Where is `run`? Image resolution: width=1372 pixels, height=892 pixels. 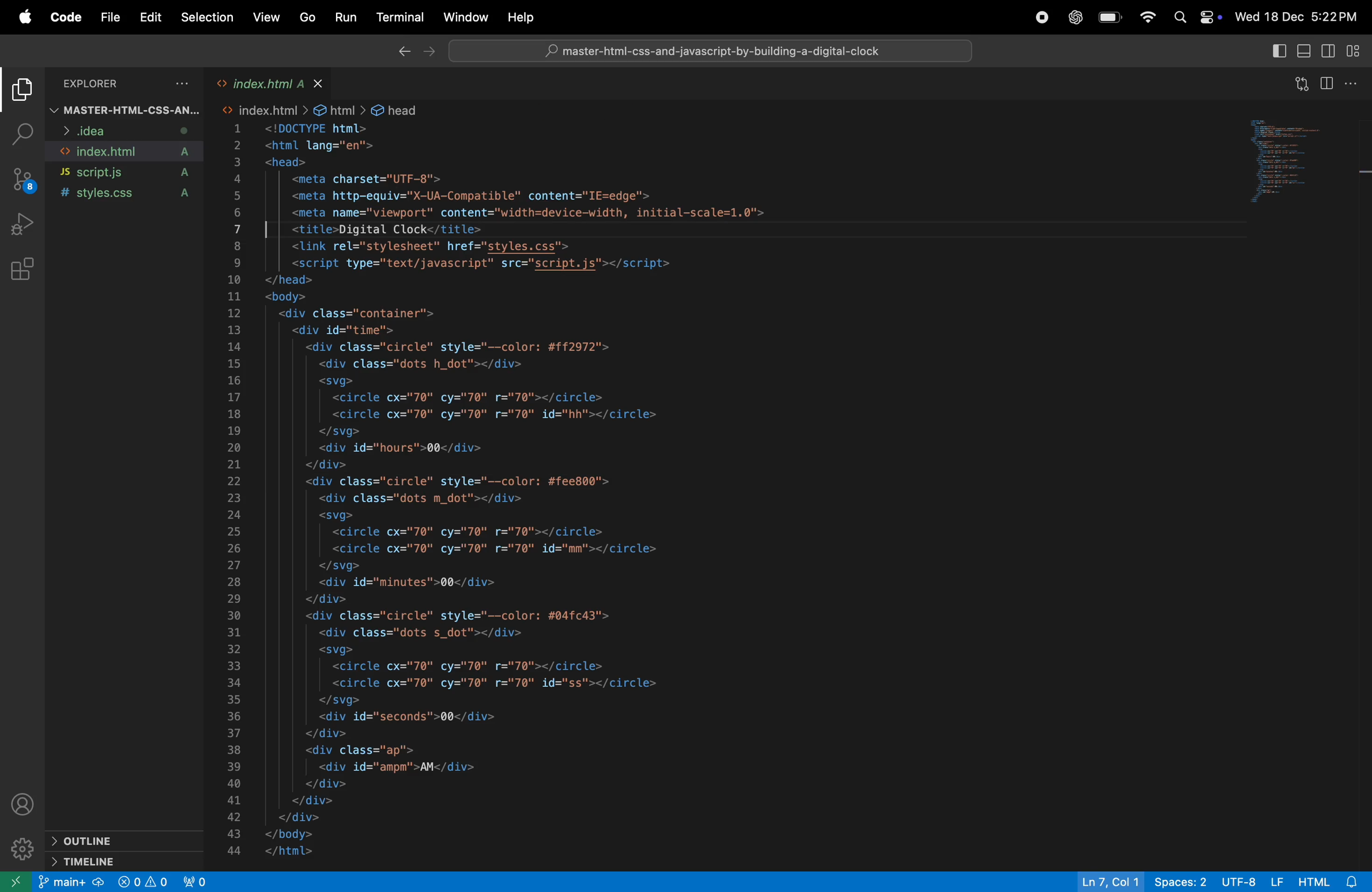 run is located at coordinates (342, 18).